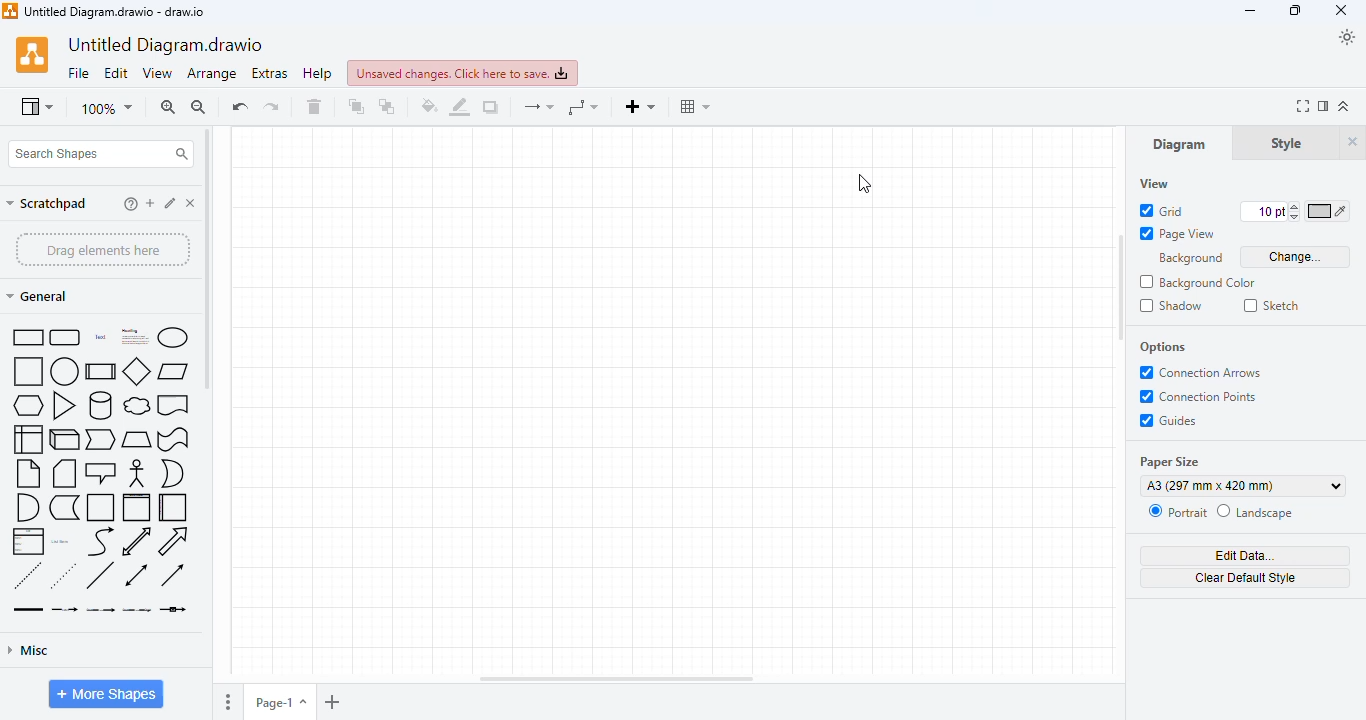 The width and height of the screenshot is (1366, 720). Describe the element at coordinates (1170, 461) in the screenshot. I see `paper size` at that location.